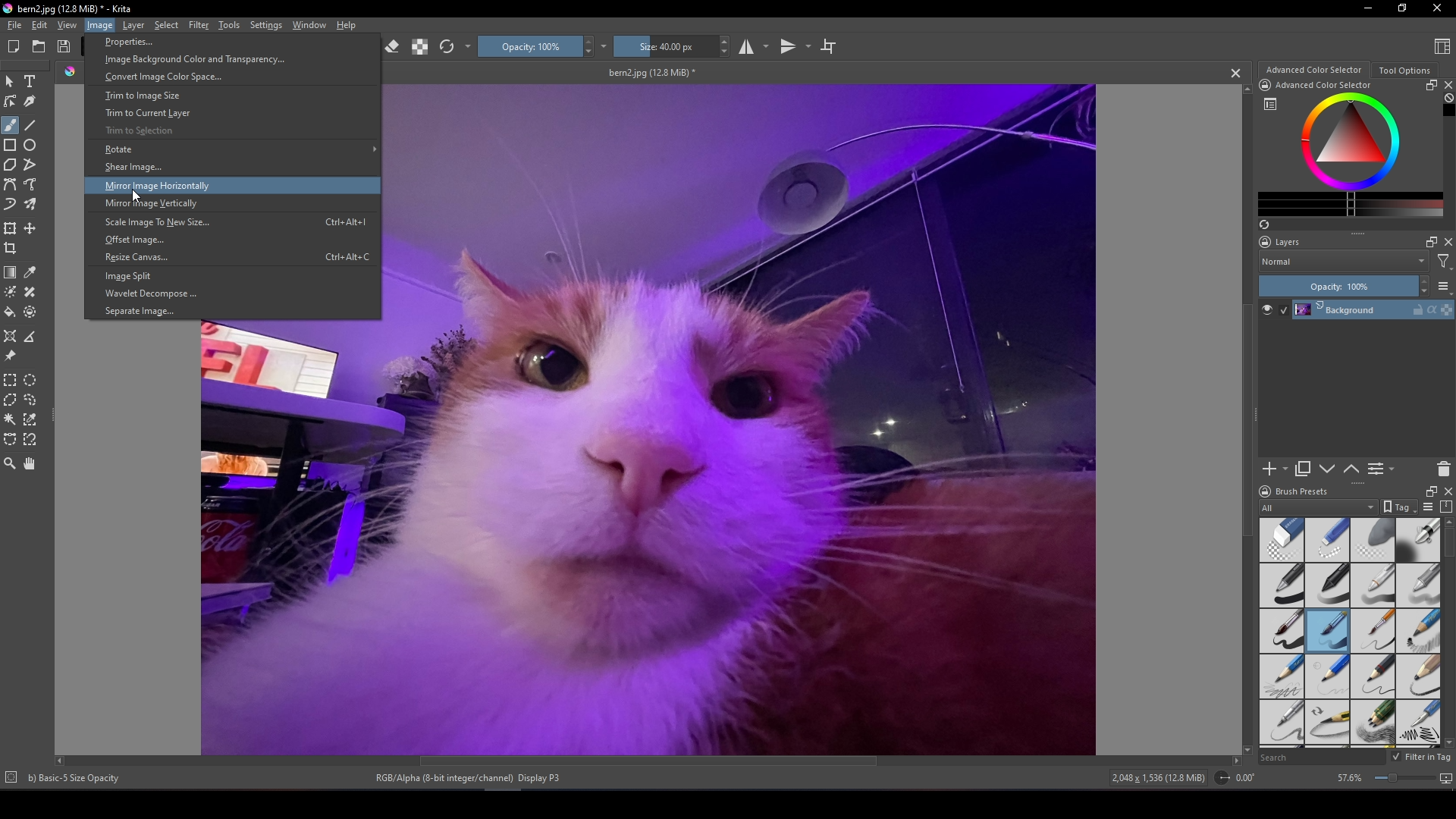  I want to click on Move layer, so click(1327, 469).